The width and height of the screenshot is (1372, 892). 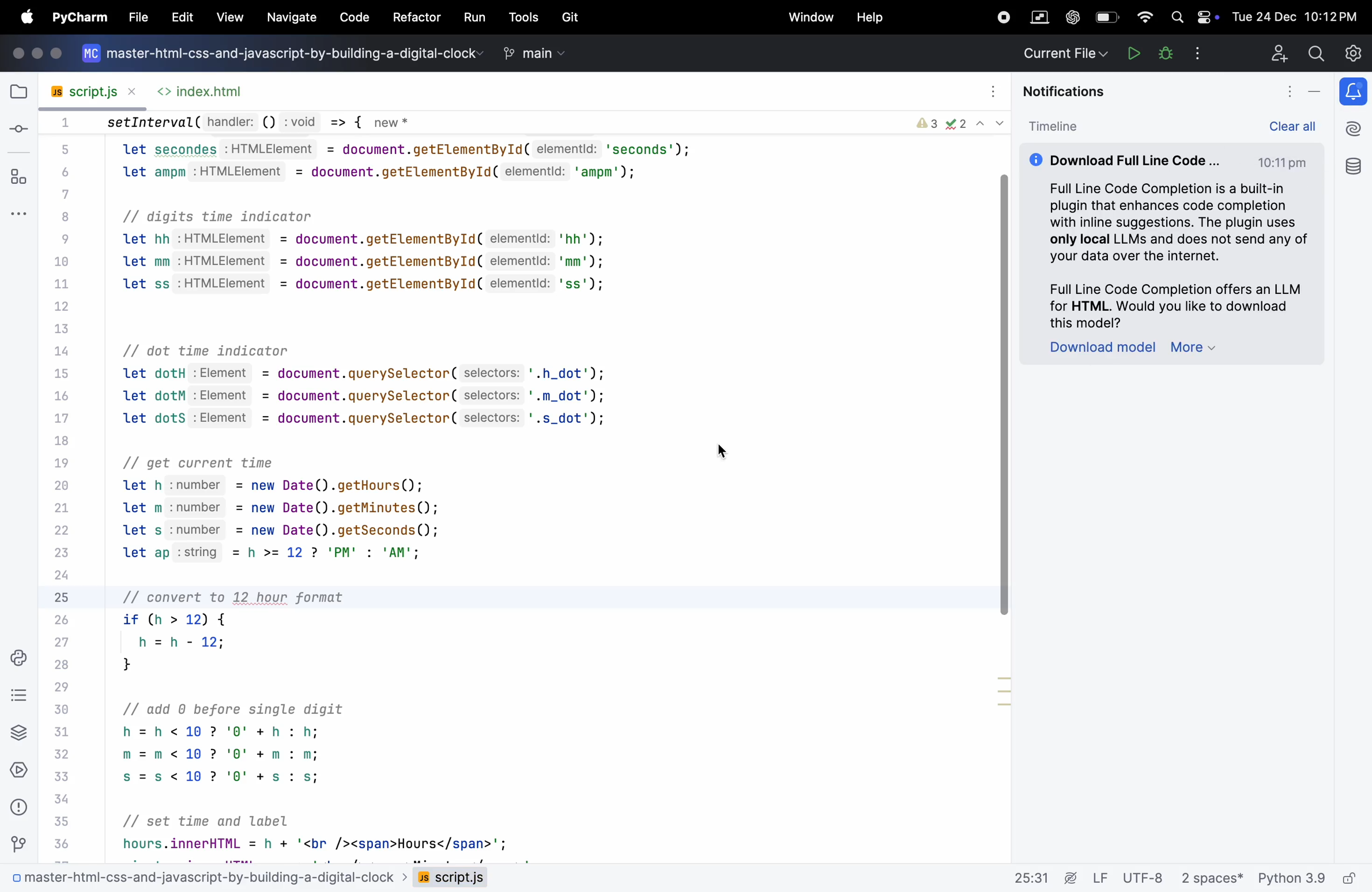 I want to click on master-html-css-and-javascript-by-building-a-digital-clock, so click(x=295, y=56).